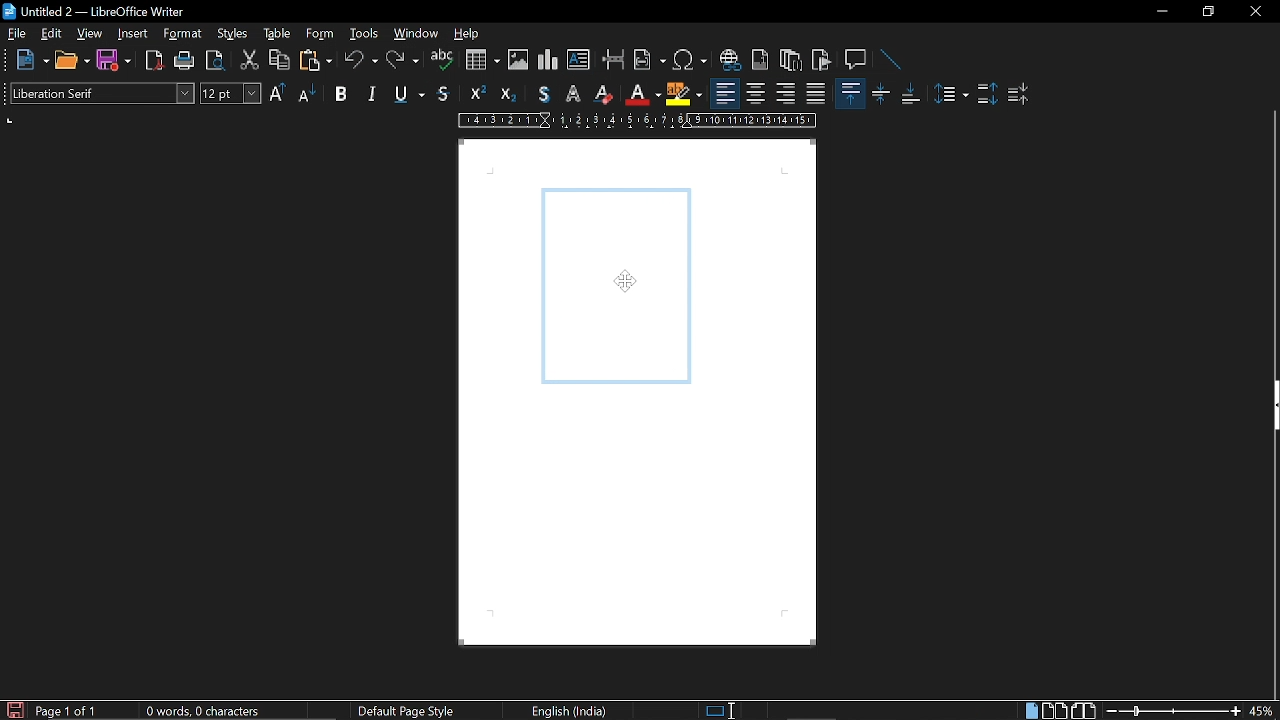  What do you see at coordinates (1262, 711) in the screenshot?
I see `current zoom` at bounding box center [1262, 711].